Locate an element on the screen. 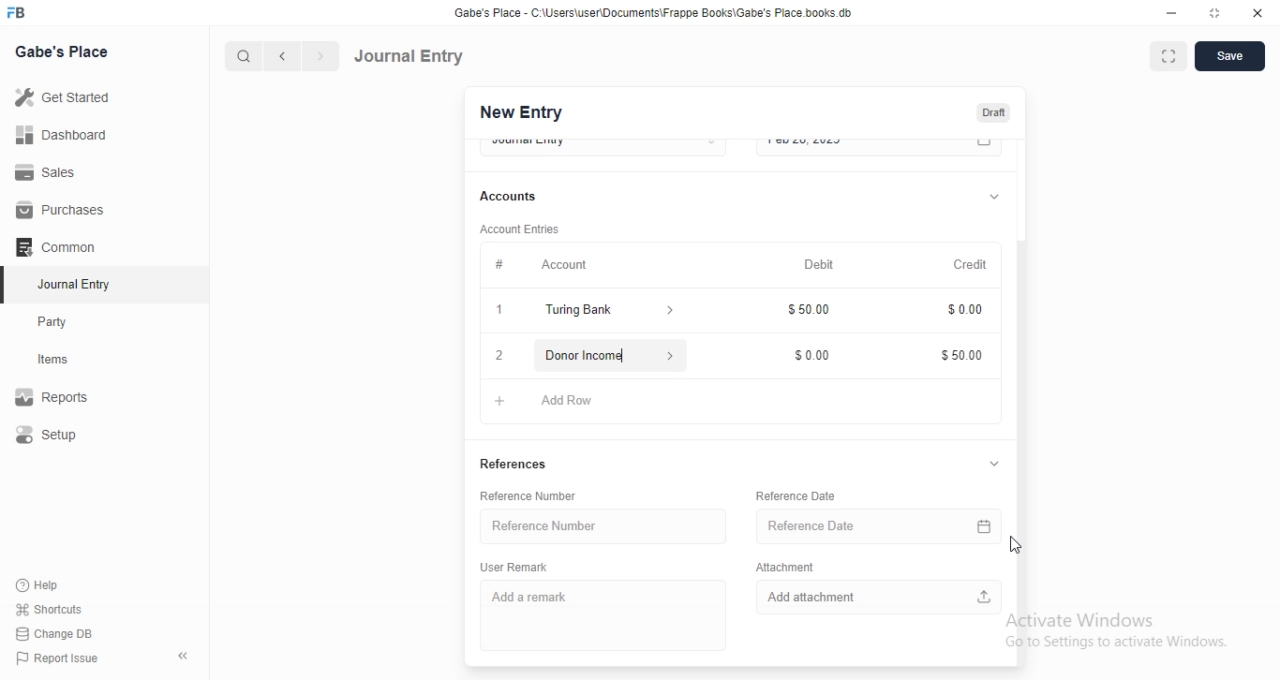 This screenshot has width=1280, height=680. ‘Help is located at coordinates (61, 585).